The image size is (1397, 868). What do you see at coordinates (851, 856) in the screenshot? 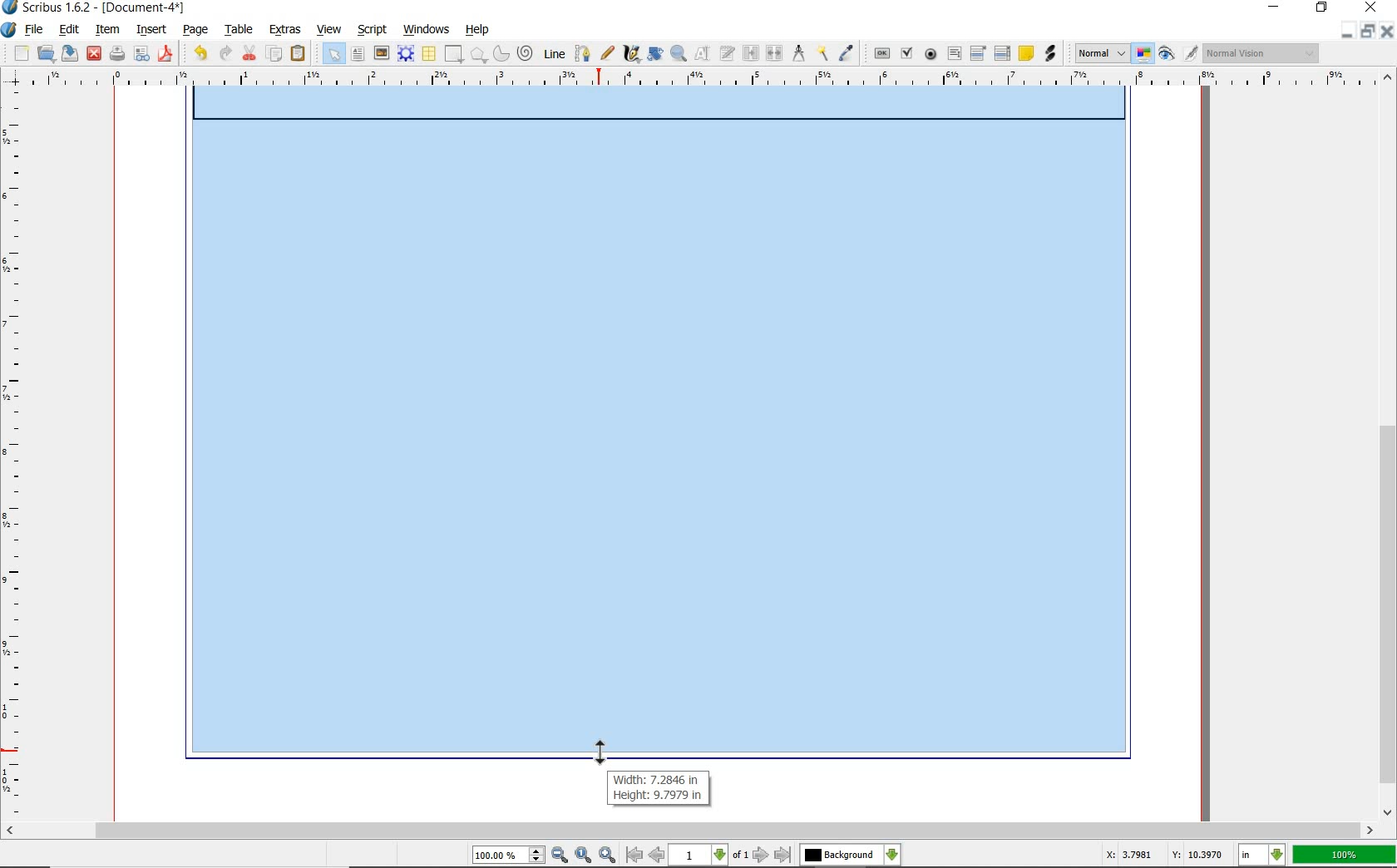
I see `Background` at bounding box center [851, 856].